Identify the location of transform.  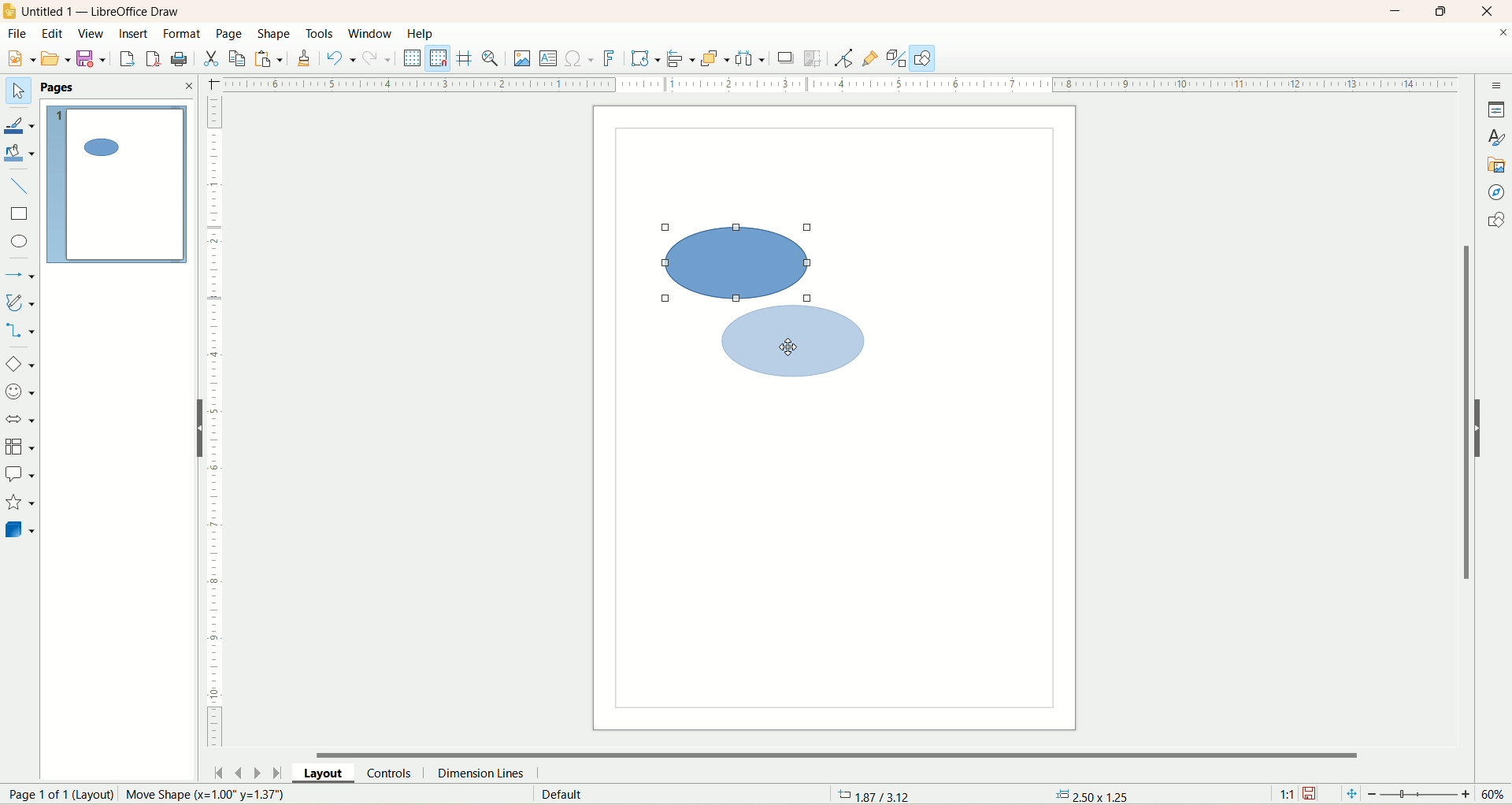
(642, 59).